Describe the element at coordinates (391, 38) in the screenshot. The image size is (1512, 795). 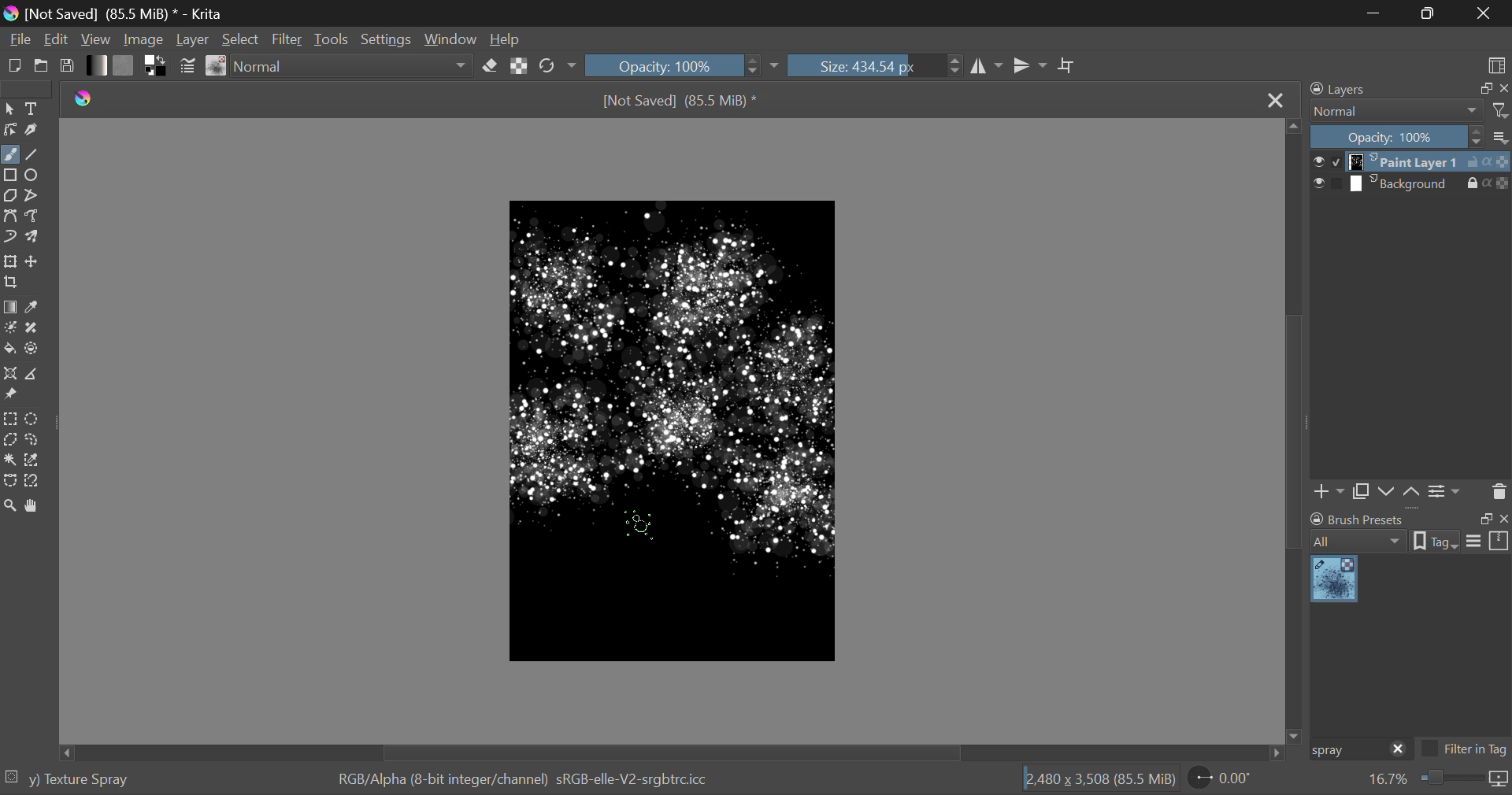
I see `Settings` at that location.